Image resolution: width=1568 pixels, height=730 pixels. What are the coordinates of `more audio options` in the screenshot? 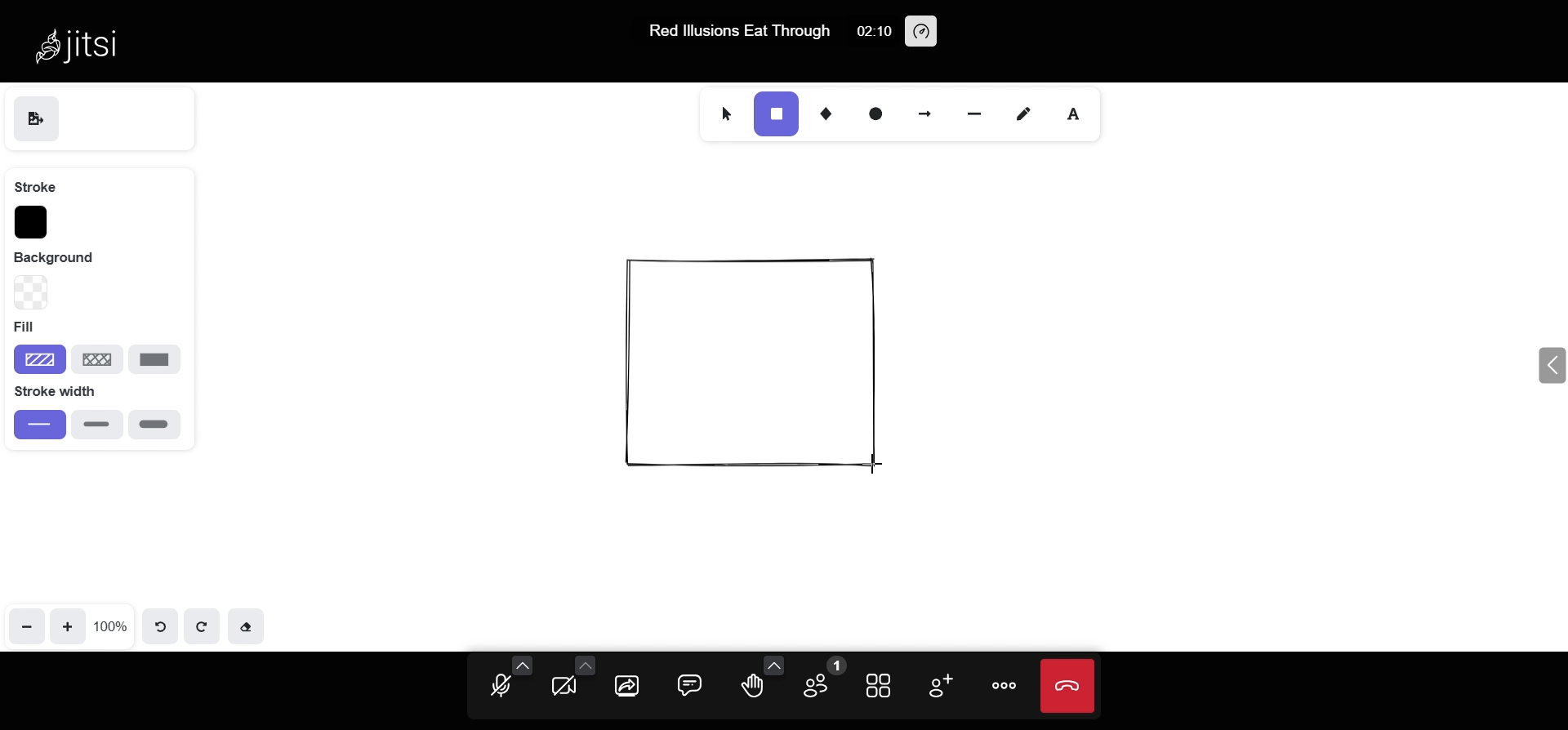 It's located at (523, 665).